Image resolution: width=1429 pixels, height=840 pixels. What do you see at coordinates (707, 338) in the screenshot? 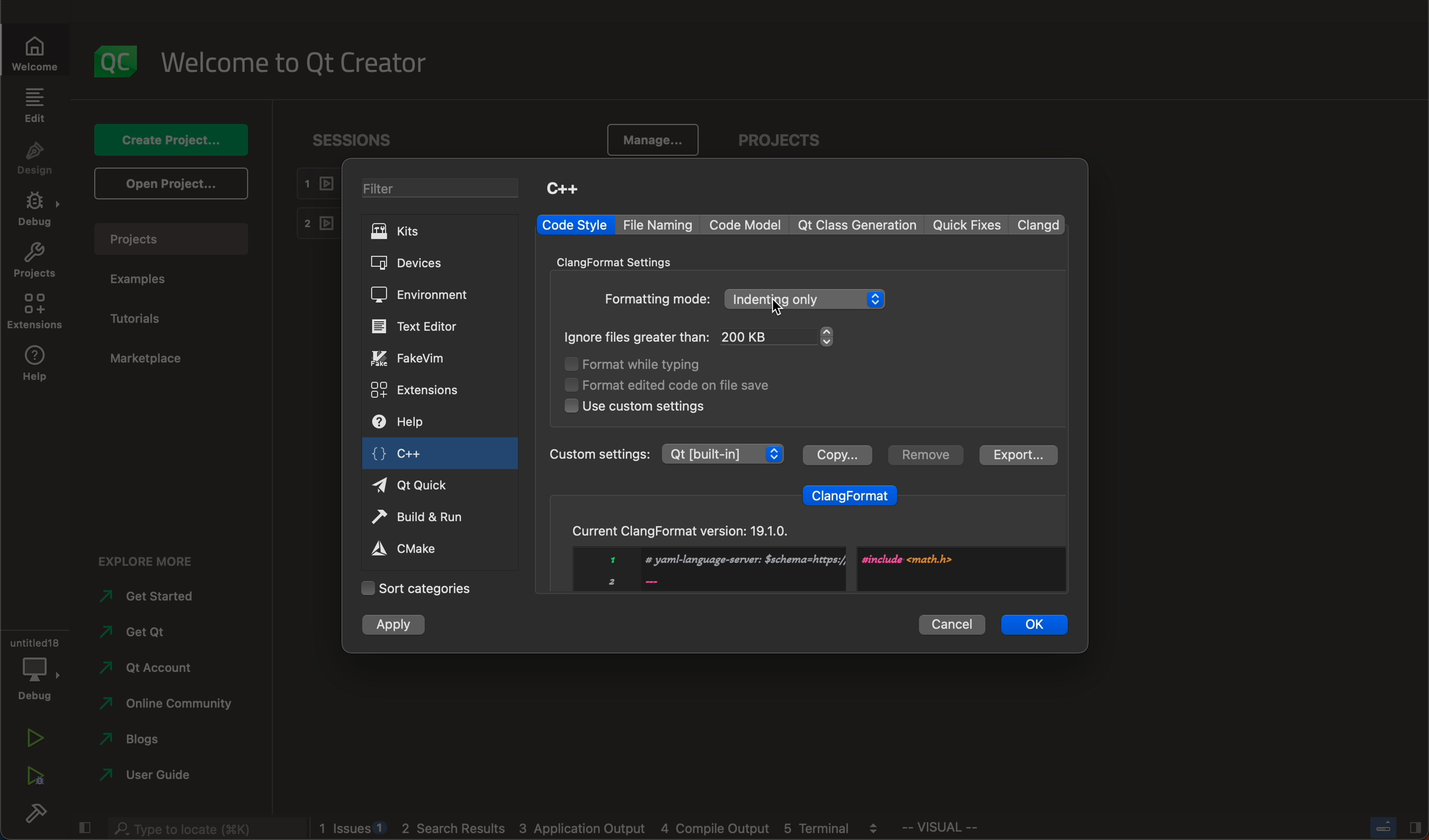
I see `ignore files` at bounding box center [707, 338].